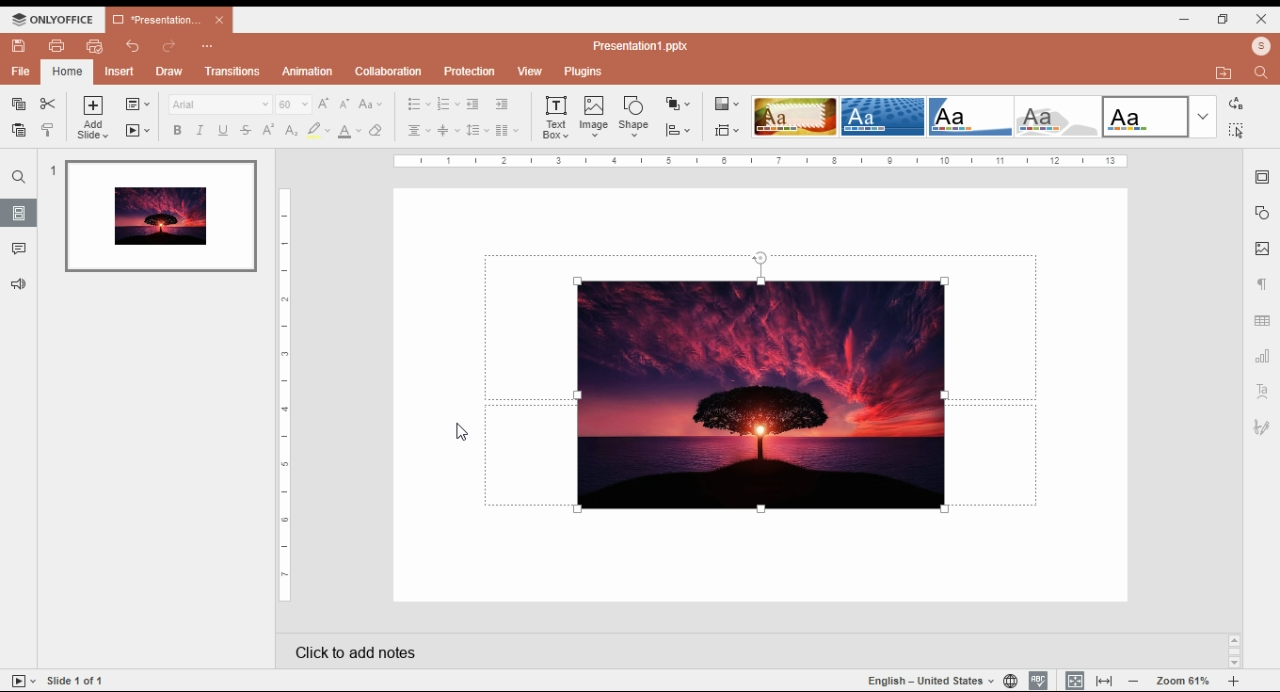 This screenshot has height=692, width=1280. Describe the element at coordinates (458, 431) in the screenshot. I see `mouse pointer` at that location.